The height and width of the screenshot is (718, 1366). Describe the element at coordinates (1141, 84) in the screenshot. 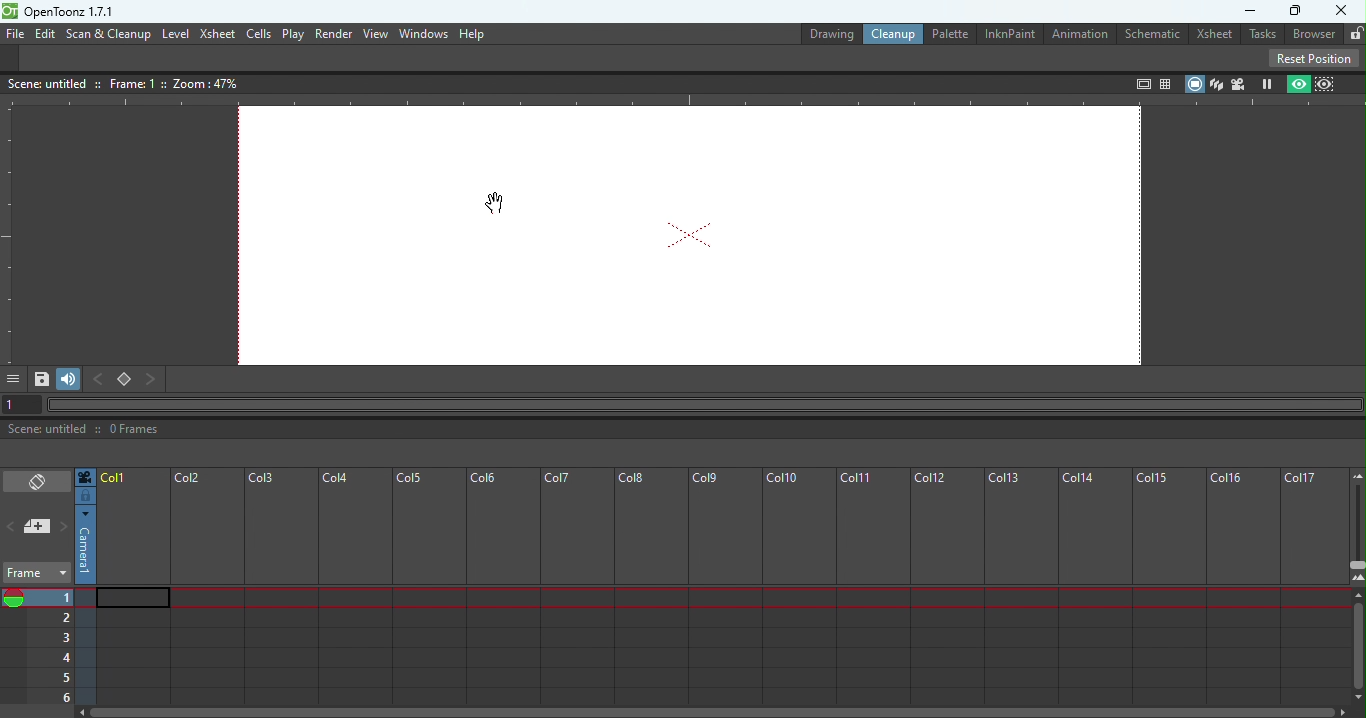

I see `Safe area` at that location.